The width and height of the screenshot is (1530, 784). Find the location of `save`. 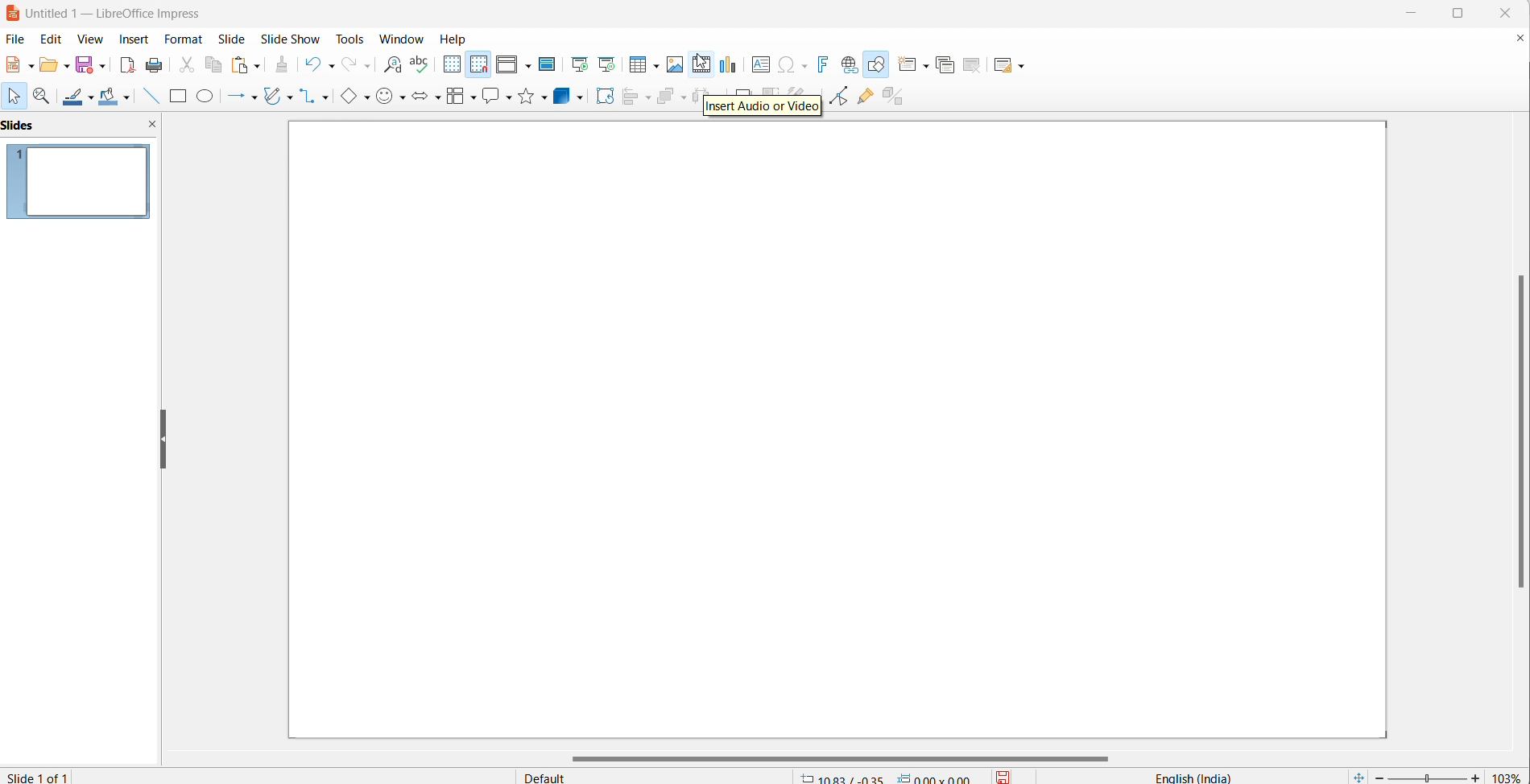

save is located at coordinates (84, 66).